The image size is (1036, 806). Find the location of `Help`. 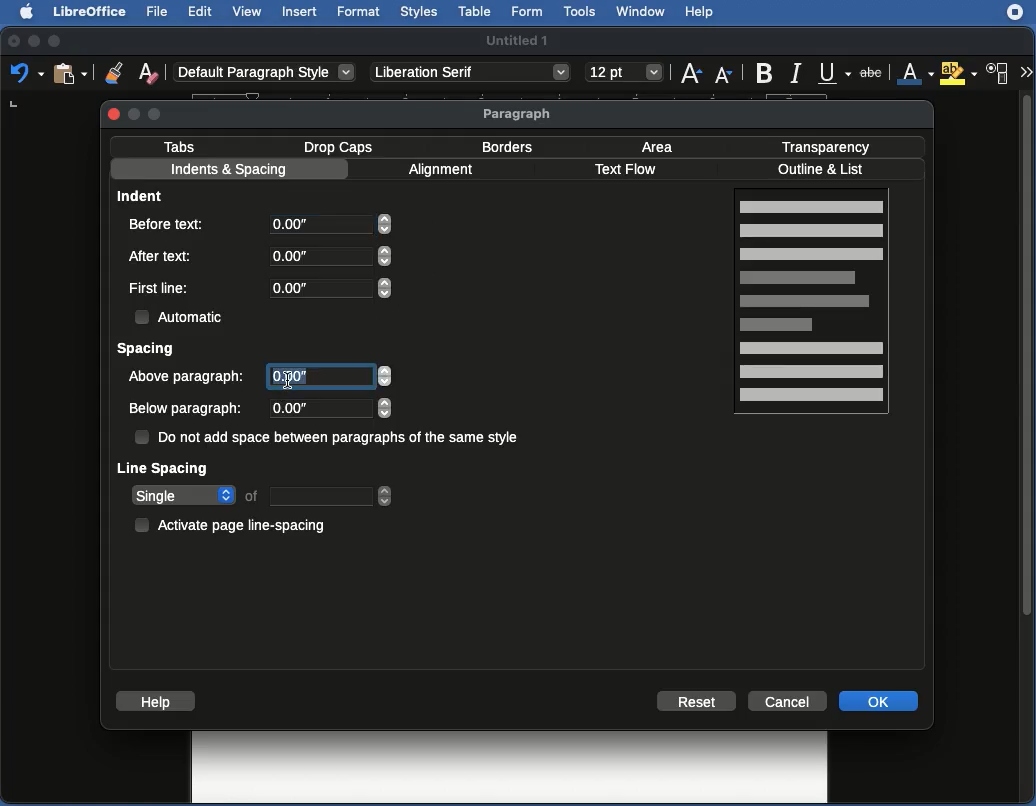

Help is located at coordinates (155, 701).